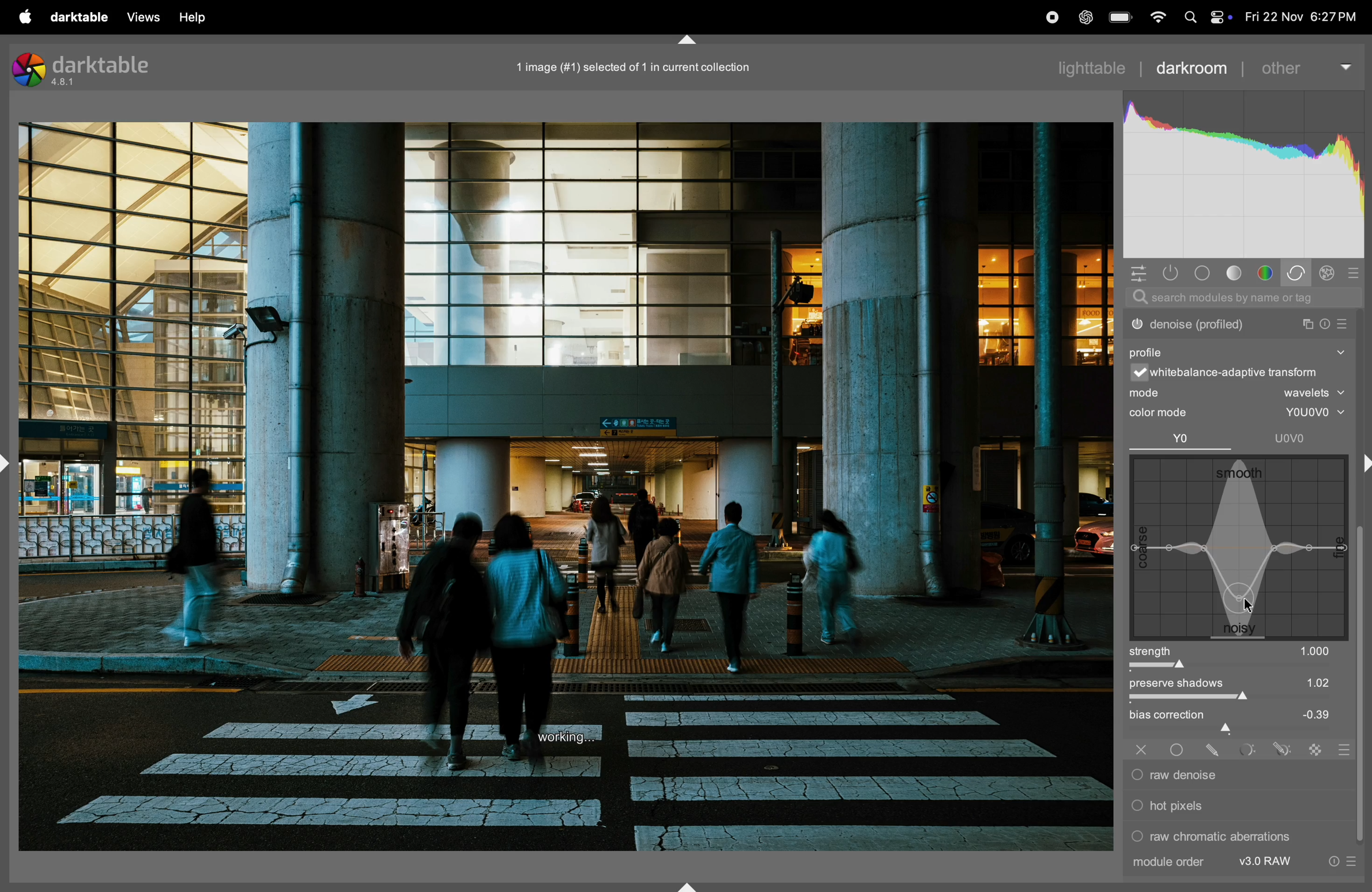  What do you see at coordinates (1282, 440) in the screenshot?
I see `uovo` at bounding box center [1282, 440].